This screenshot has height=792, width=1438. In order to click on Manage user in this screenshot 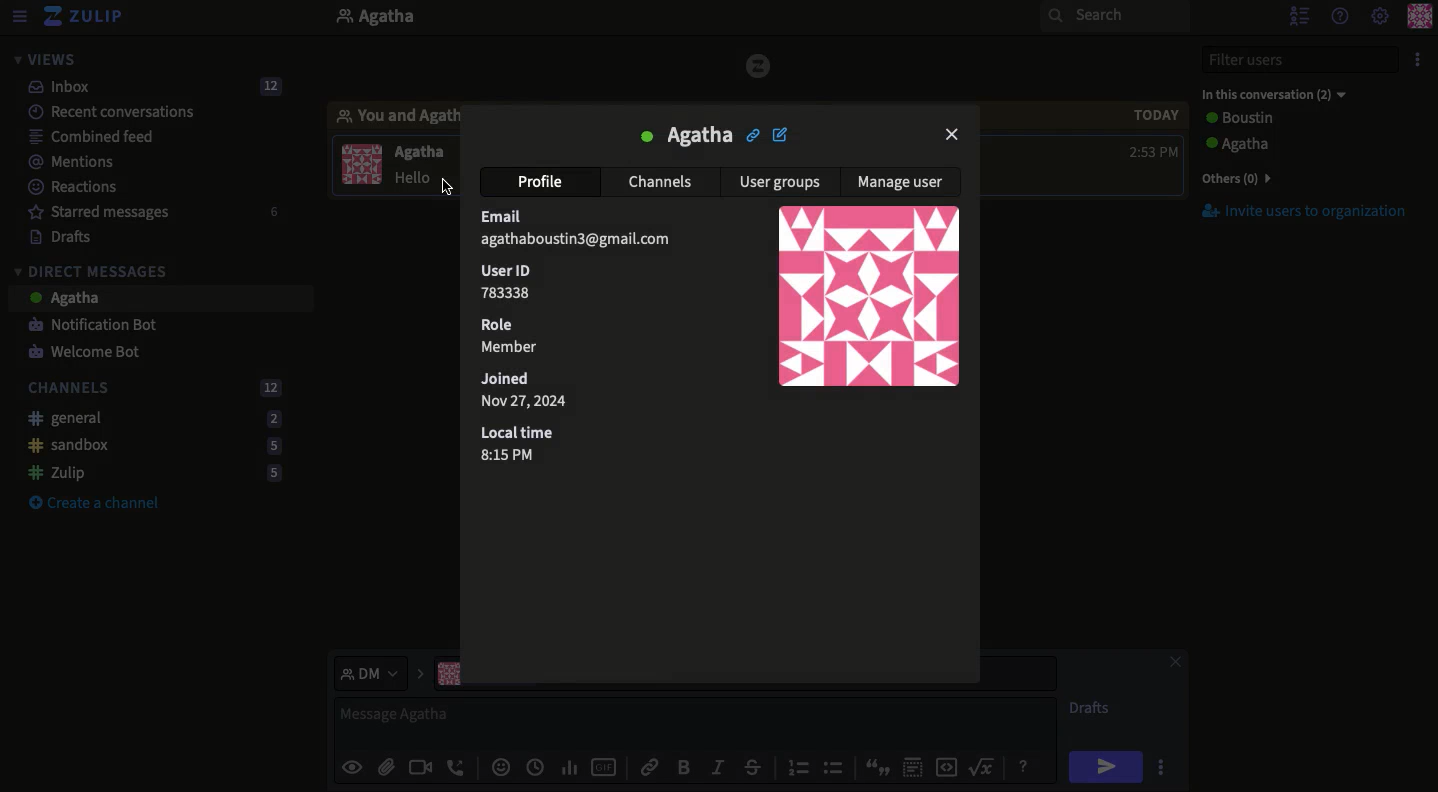, I will do `click(902, 186)`.